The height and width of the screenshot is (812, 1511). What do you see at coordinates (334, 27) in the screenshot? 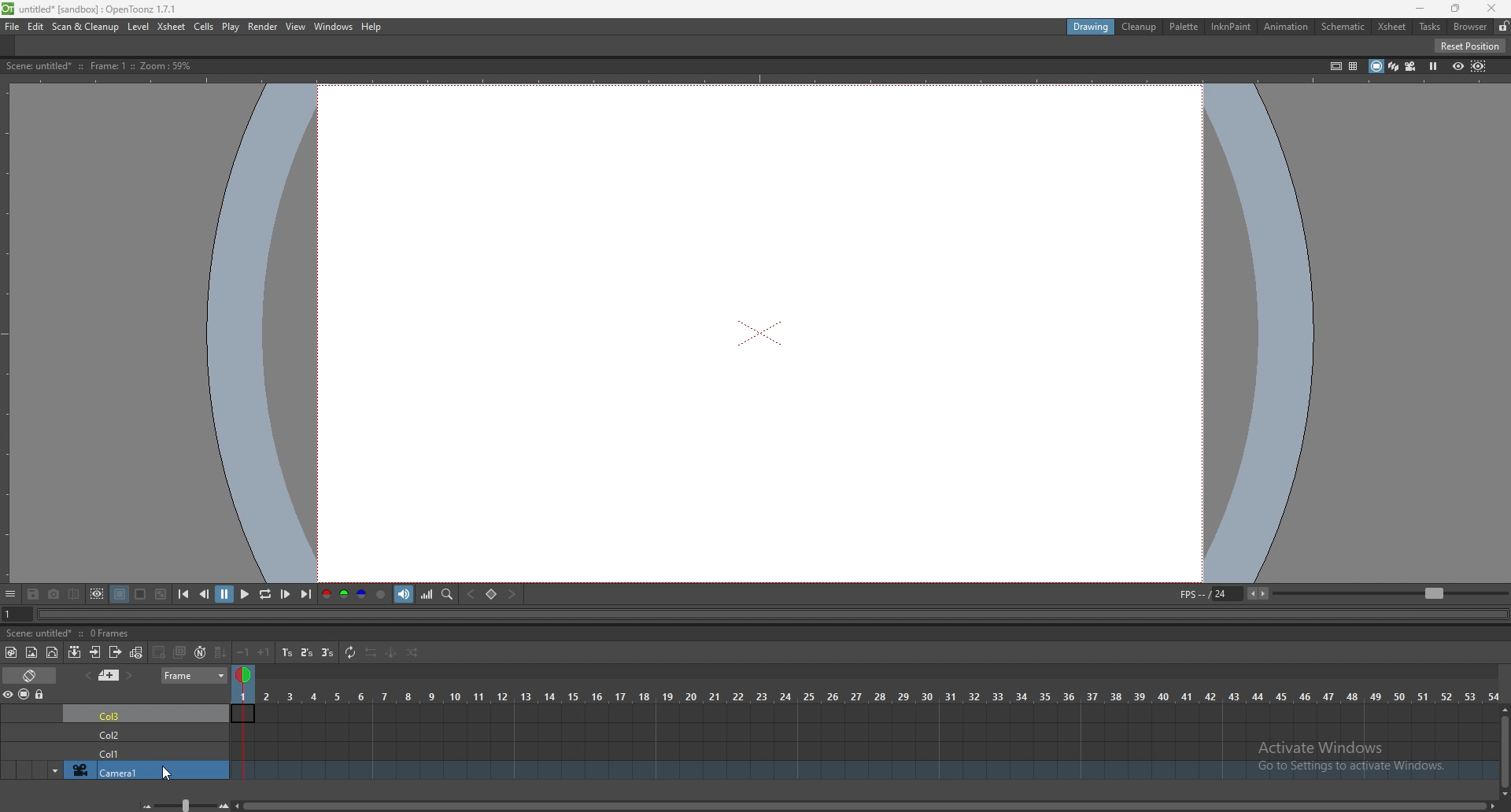
I see `windows` at bounding box center [334, 27].